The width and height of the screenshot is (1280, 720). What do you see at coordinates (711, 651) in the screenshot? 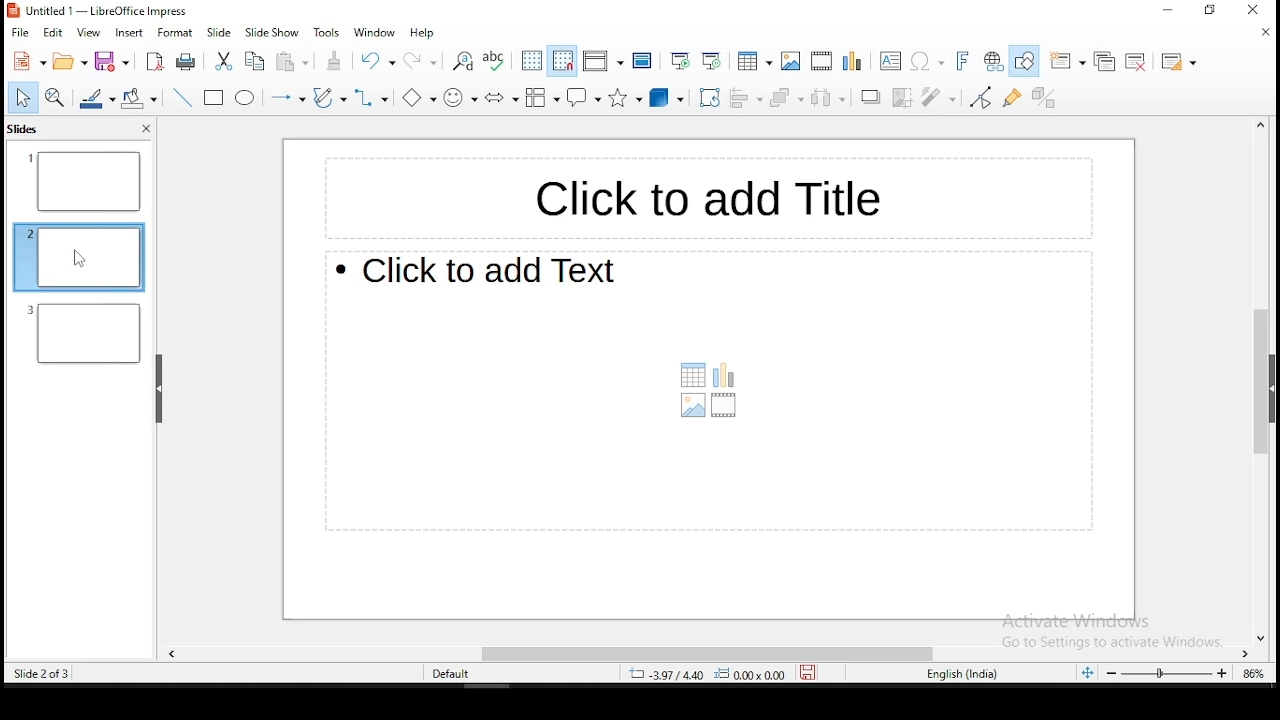
I see `scroll bar` at bounding box center [711, 651].